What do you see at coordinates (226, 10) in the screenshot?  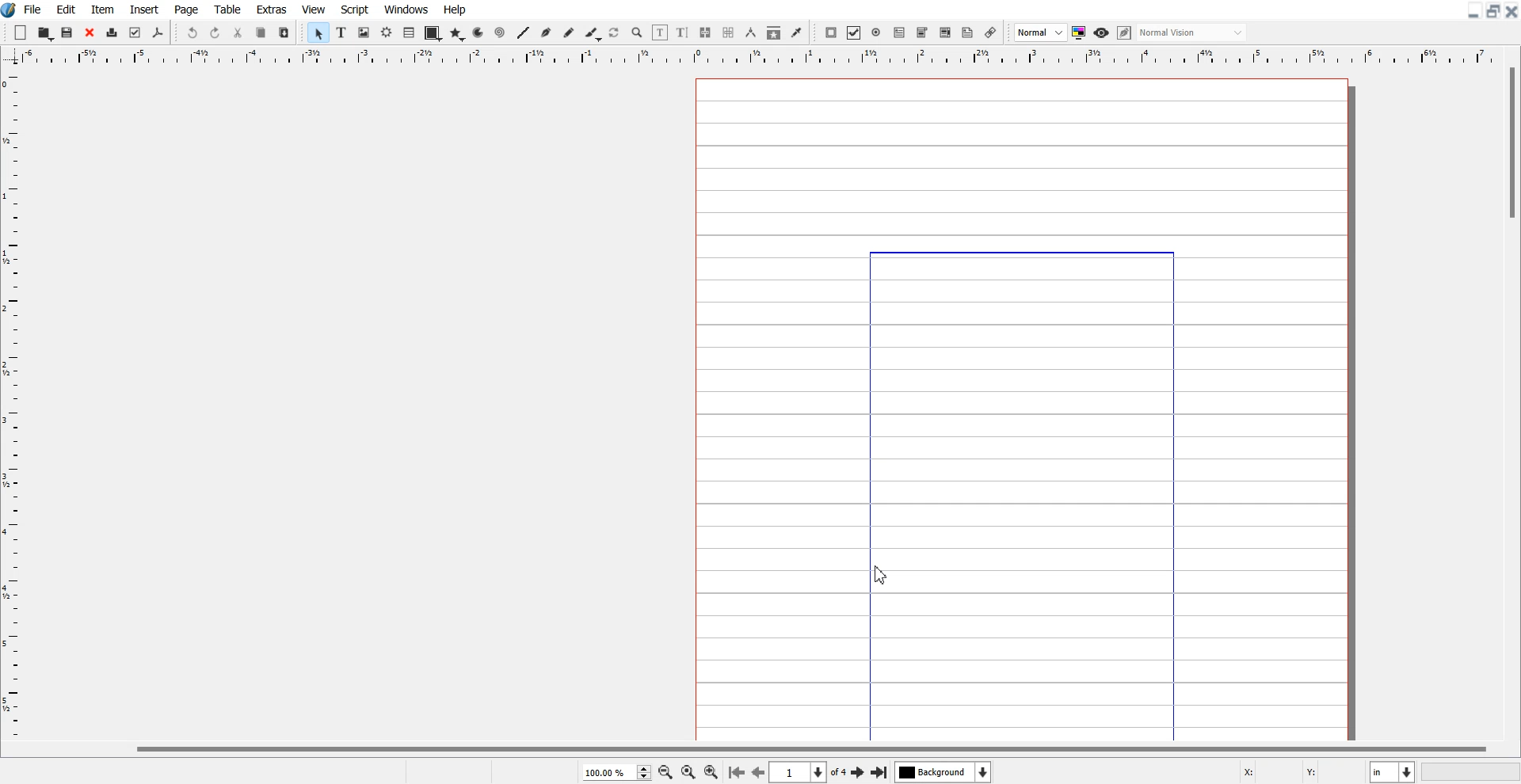 I see `Table` at bounding box center [226, 10].